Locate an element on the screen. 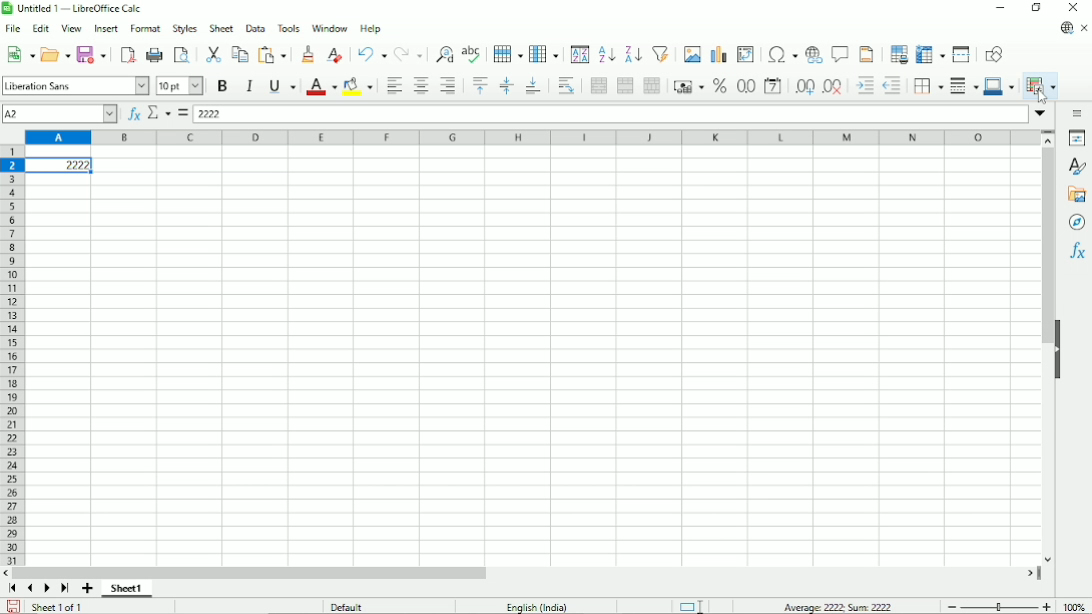  Standard selection is located at coordinates (690, 605).